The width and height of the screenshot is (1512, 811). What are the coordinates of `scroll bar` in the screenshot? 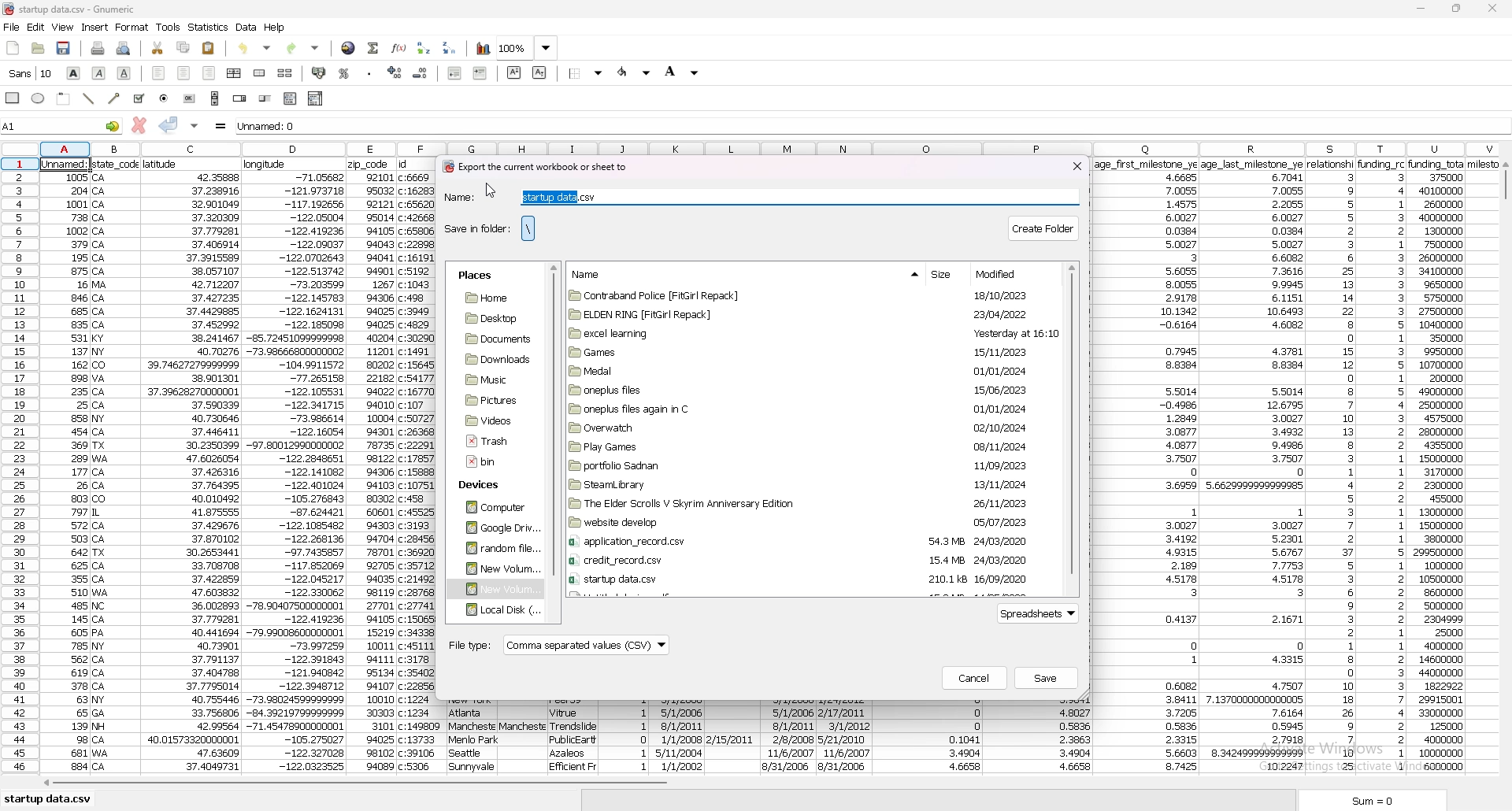 It's located at (763, 786).